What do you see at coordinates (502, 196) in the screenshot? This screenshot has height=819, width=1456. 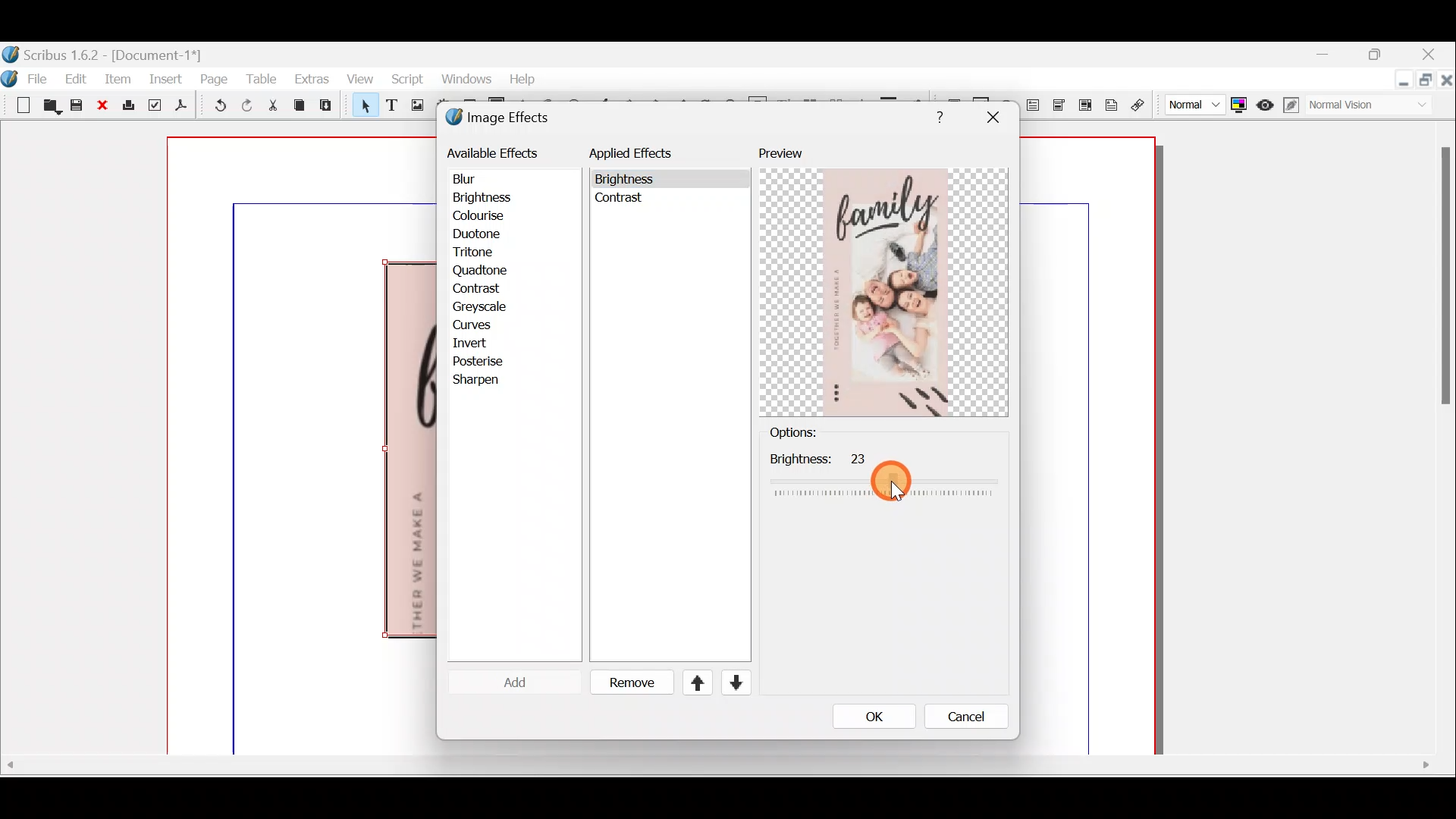 I see `Brightness` at bounding box center [502, 196].